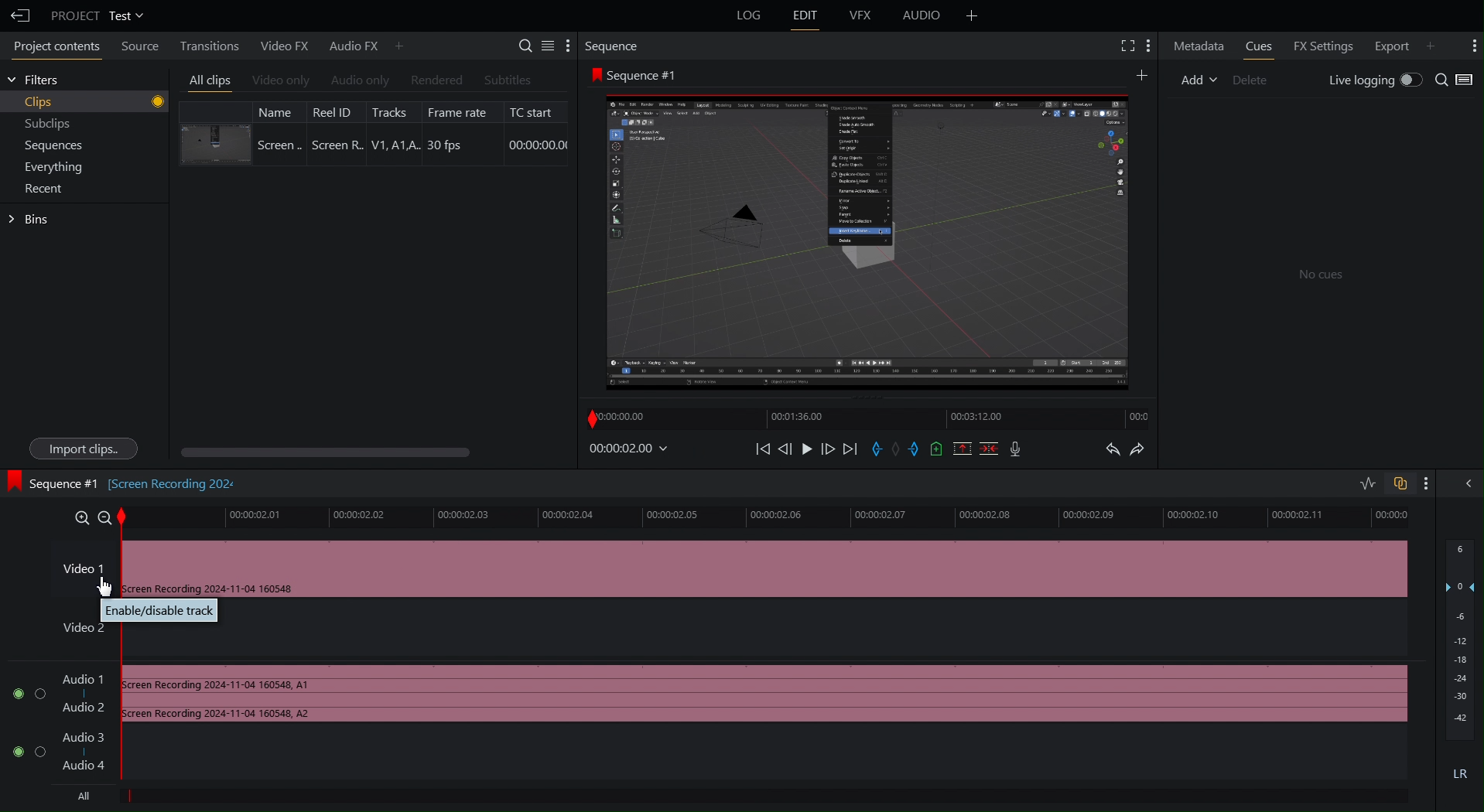 The image size is (1484, 812). I want to click on Enable/disable track, so click(162, 612).